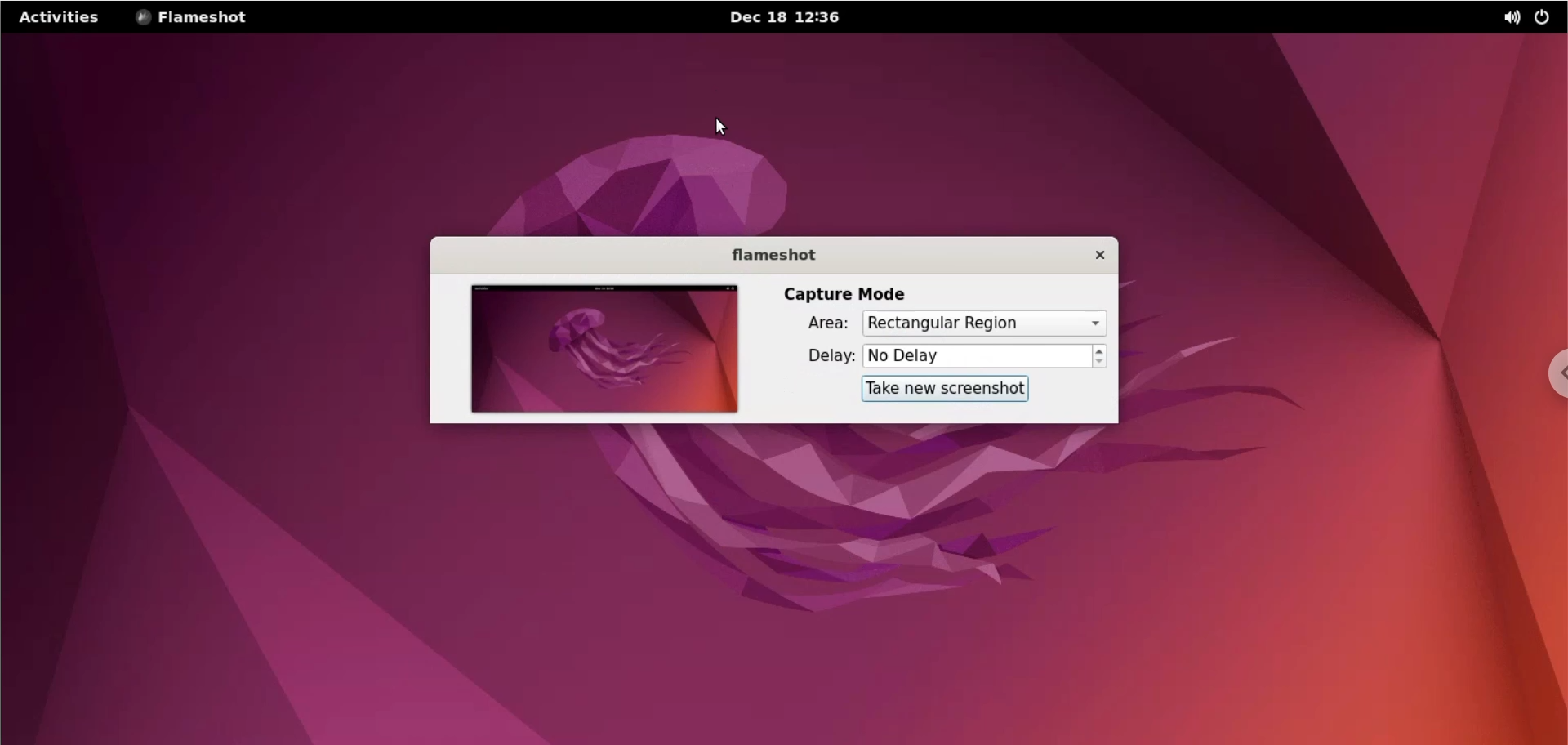 The width and height of the screenshot is (1568, 745). What do you see at coordinates (947, 389) in the screenshot?
I see `take new screenshot` at bounding box center [947, 389].